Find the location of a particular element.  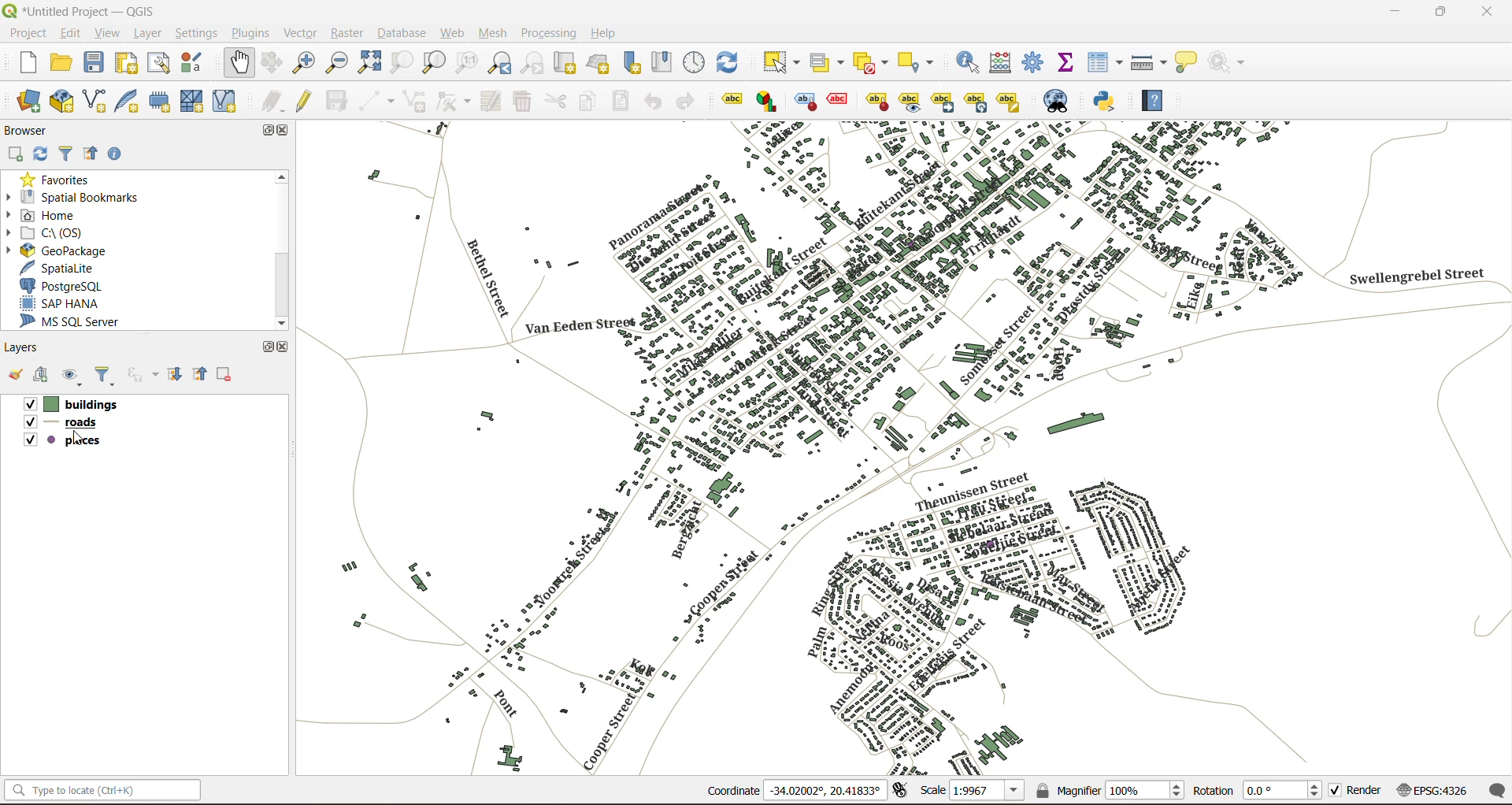

new spatialite layer is located at coordinates (132, 103).